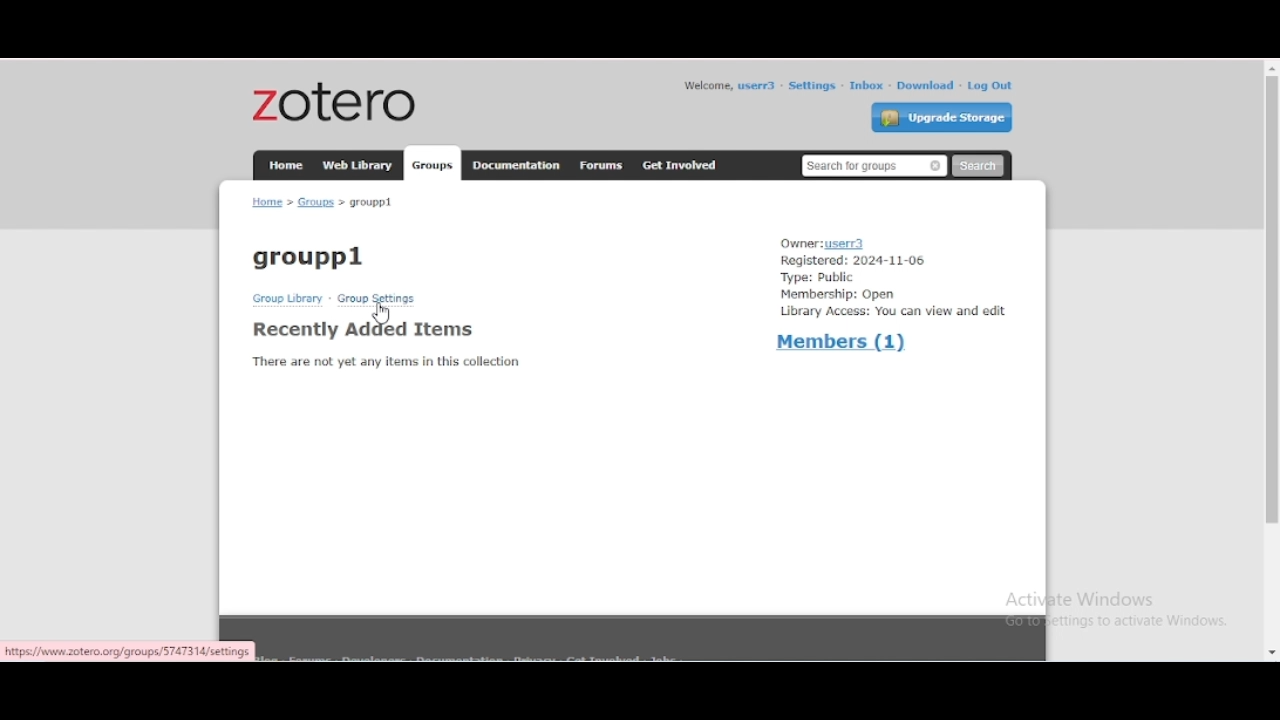 This screenshot has height=720, width=1280. I want to click on documentation, so click(514, 164).